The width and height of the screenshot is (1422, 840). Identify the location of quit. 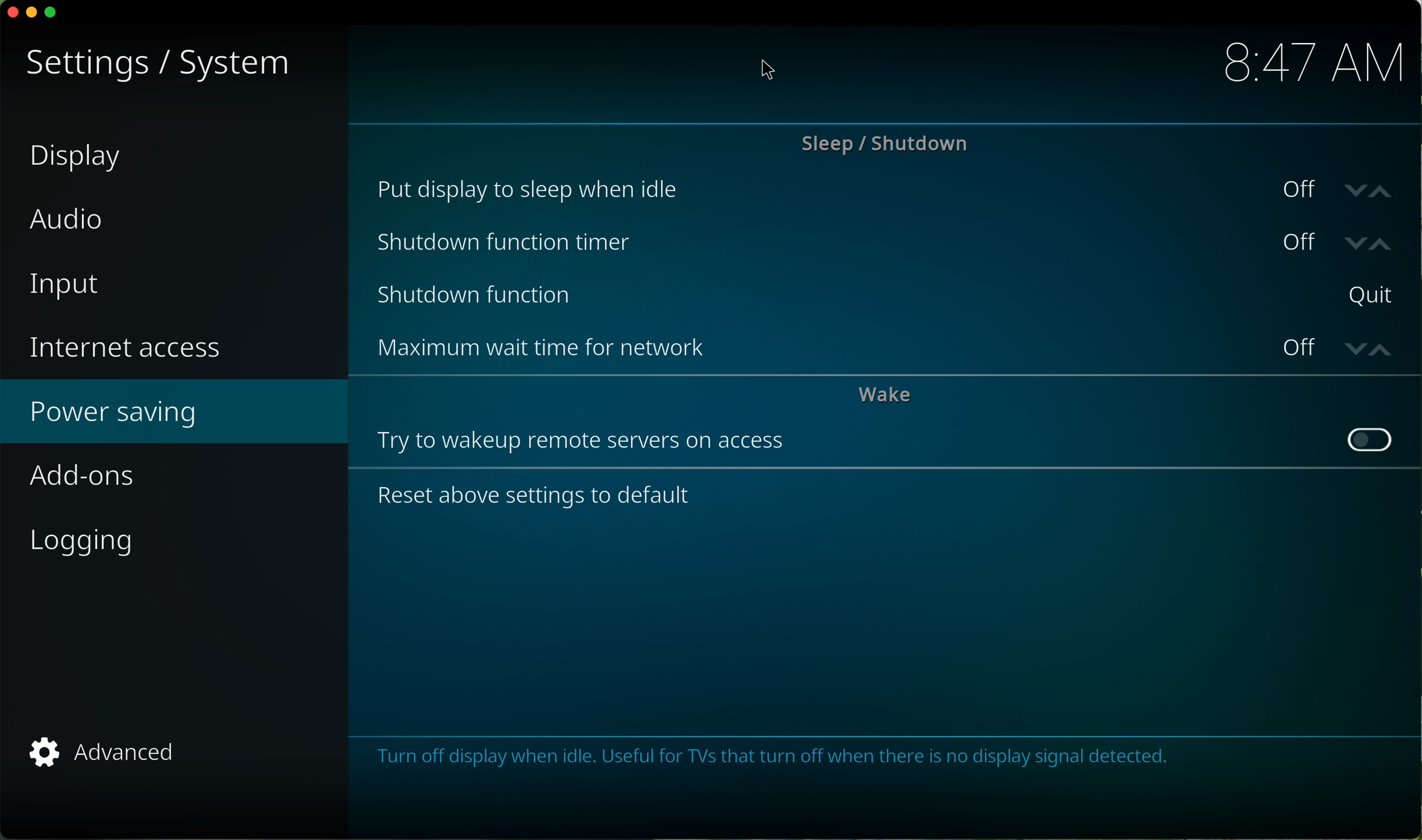
(1369, 297).